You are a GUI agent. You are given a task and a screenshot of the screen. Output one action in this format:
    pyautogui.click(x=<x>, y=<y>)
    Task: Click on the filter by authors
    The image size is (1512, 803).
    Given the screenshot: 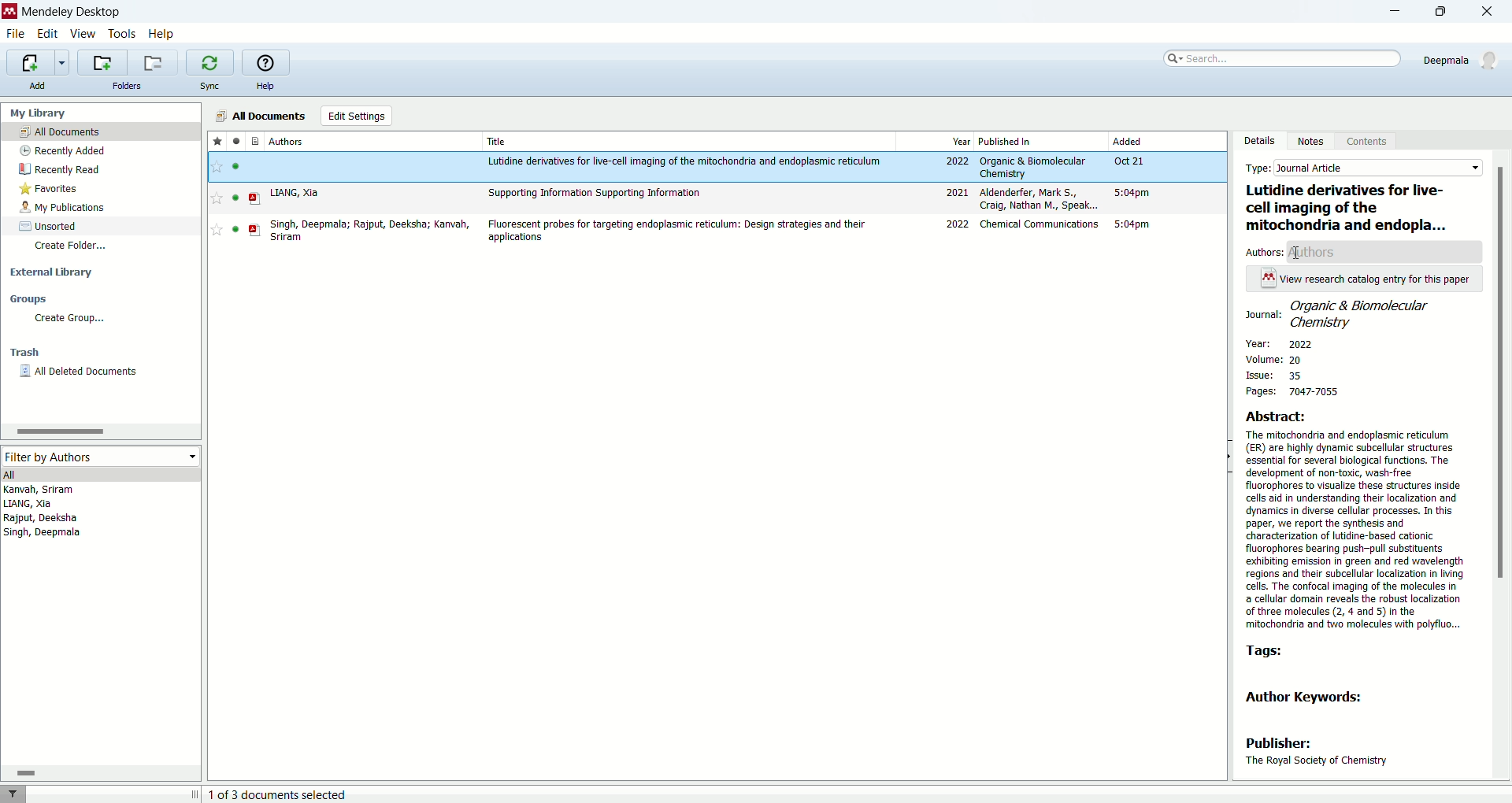 What is the action you would take?
    pyautogui.click(x=101, y=455)
    